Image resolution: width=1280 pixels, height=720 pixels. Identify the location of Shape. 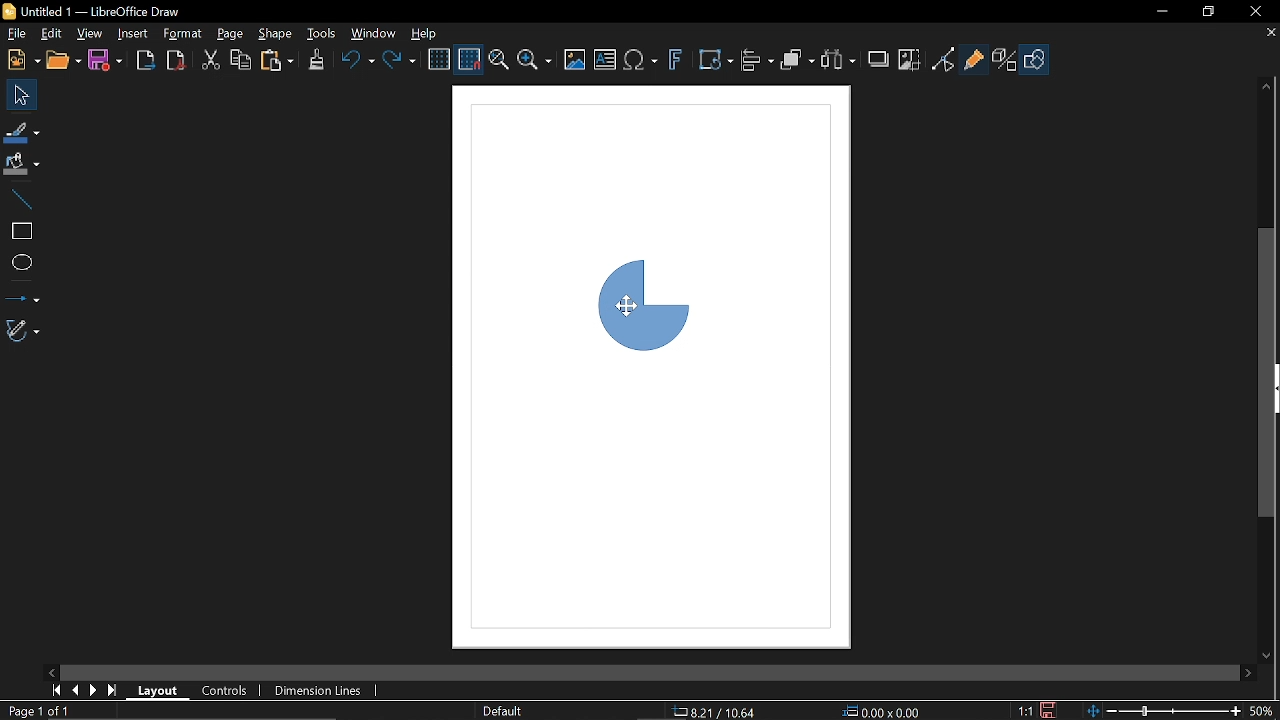
(275, 35).